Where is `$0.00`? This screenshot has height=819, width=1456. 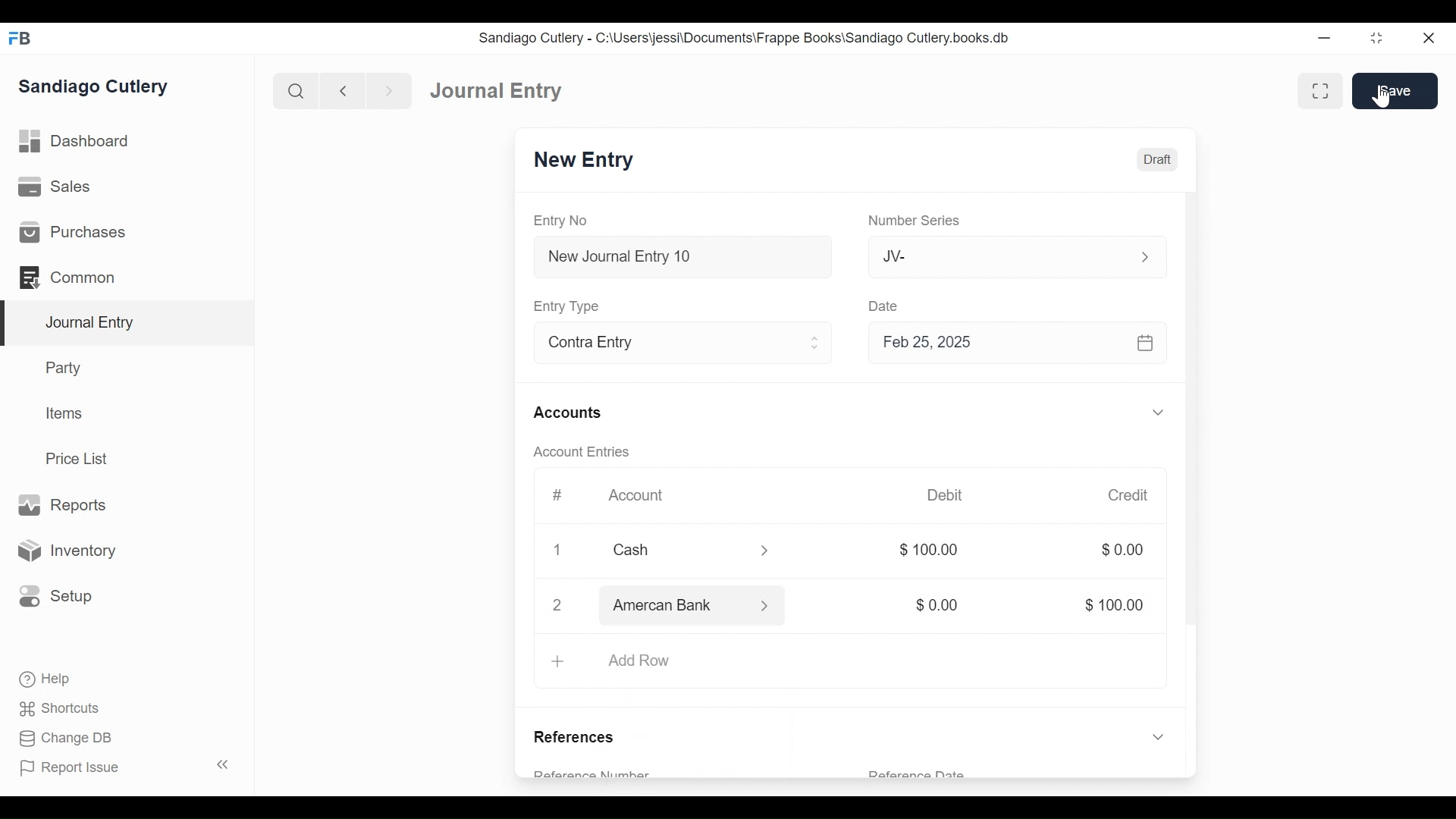
$0.00 is located at coordinates (934, 605).